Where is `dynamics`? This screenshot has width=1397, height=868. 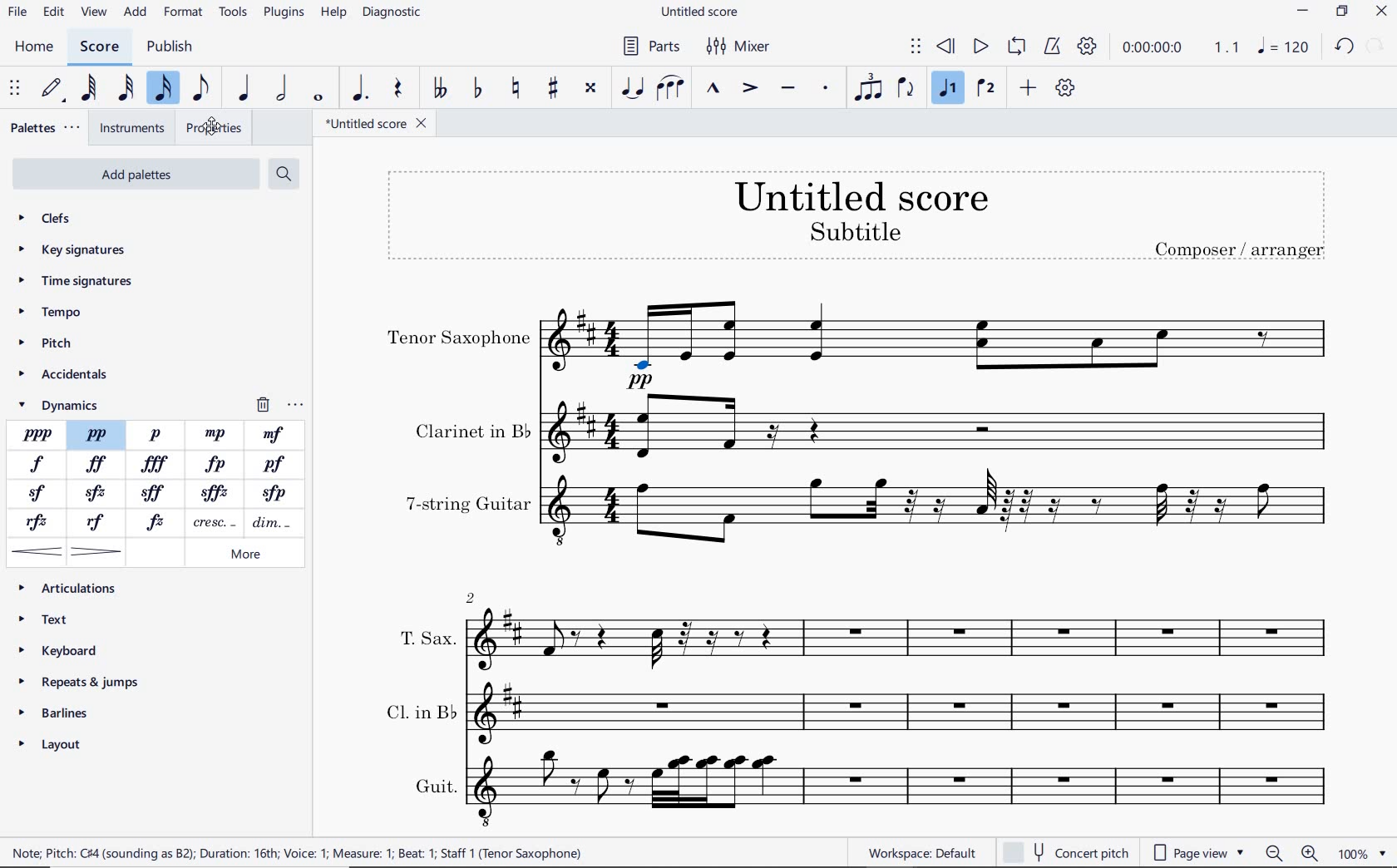
dynamics is located at coordinates (65, 404).